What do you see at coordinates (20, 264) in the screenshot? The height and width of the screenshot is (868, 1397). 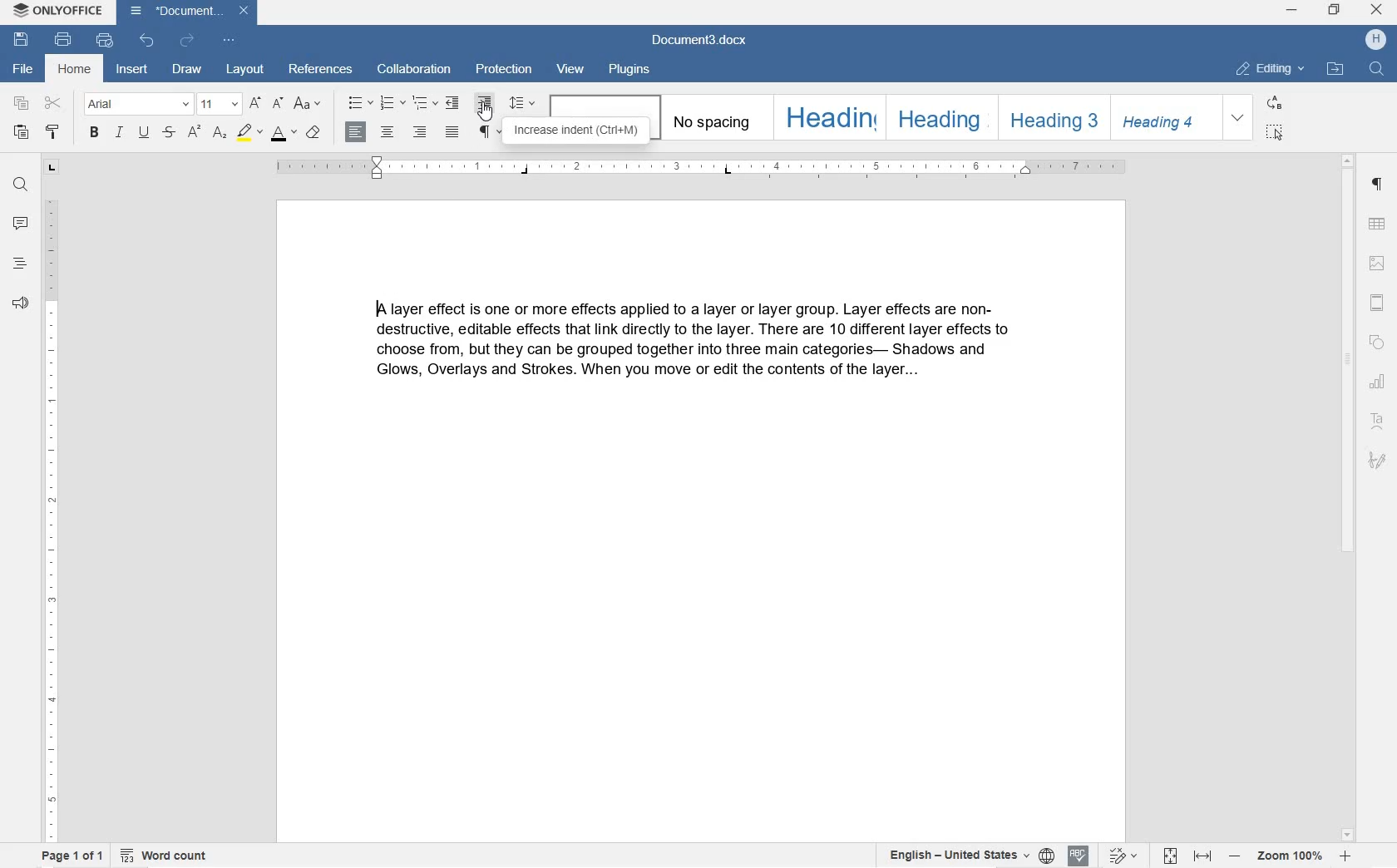 I see `HEADINGS` at bounding box center [20, 264].